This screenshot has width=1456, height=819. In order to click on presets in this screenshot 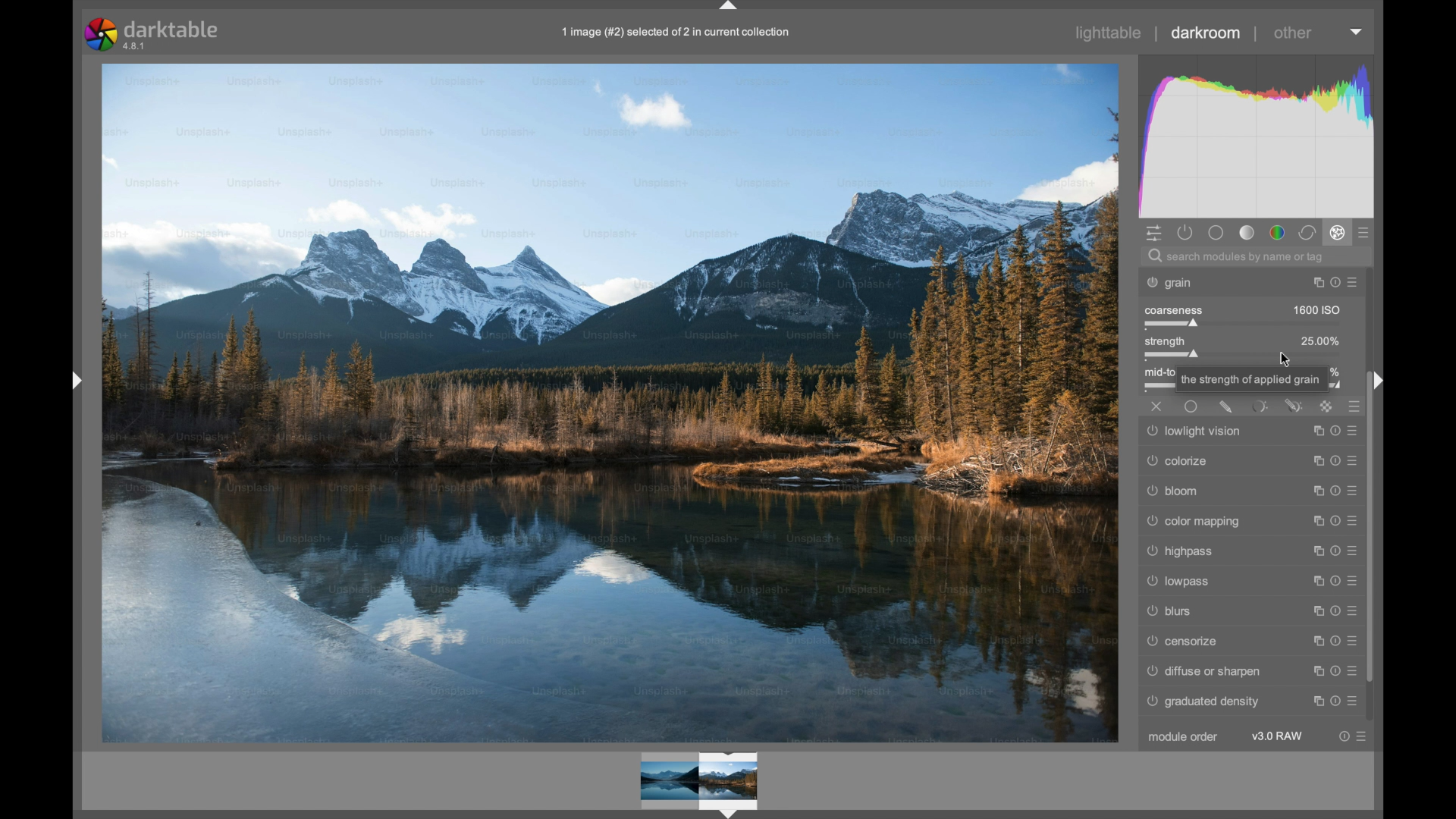, I will do `click(1357, 491)`.